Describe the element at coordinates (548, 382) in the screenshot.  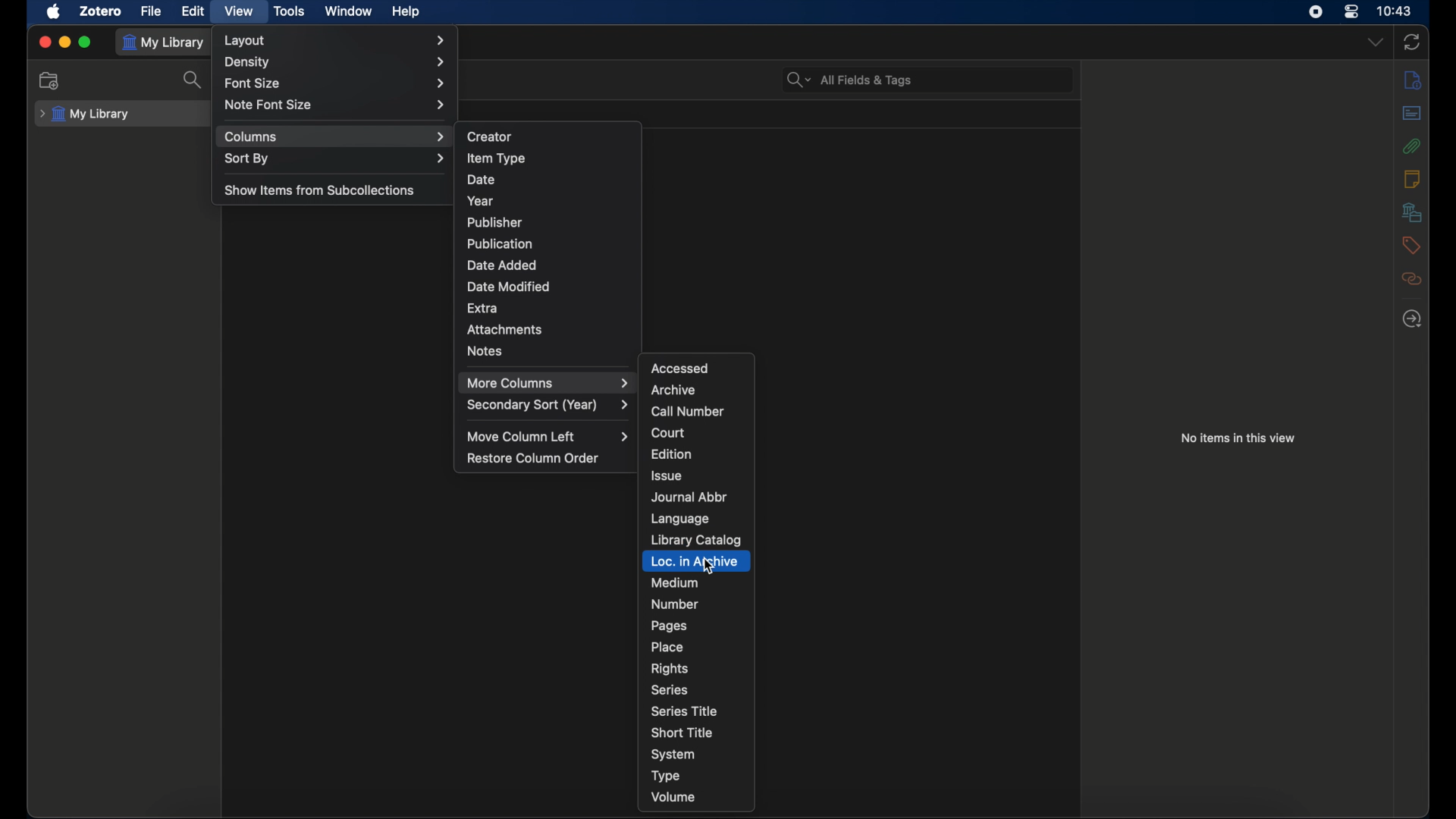
I see `more columns` at that location.